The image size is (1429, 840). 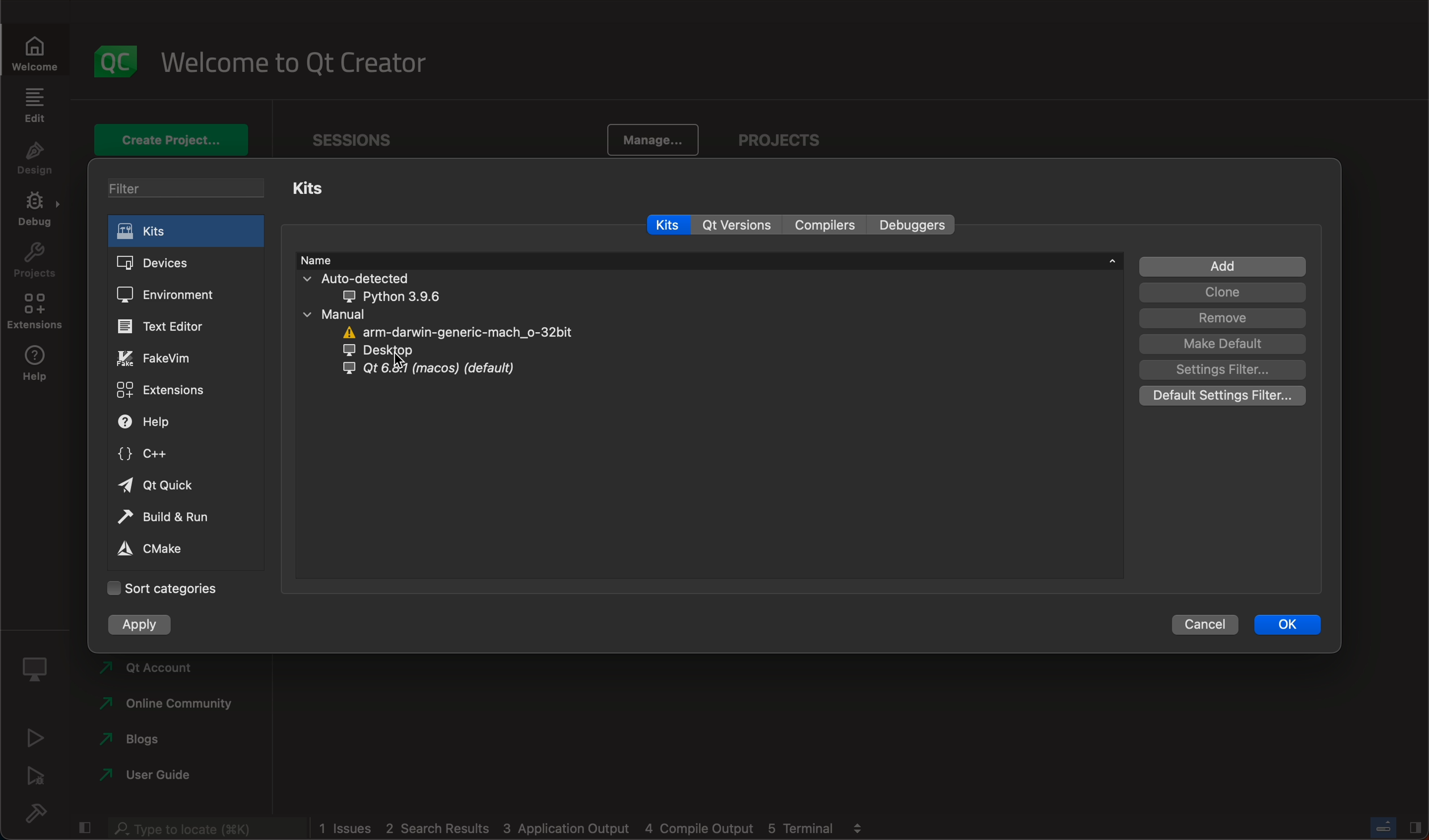 I want to click on manual, so click(x=356, y=313).